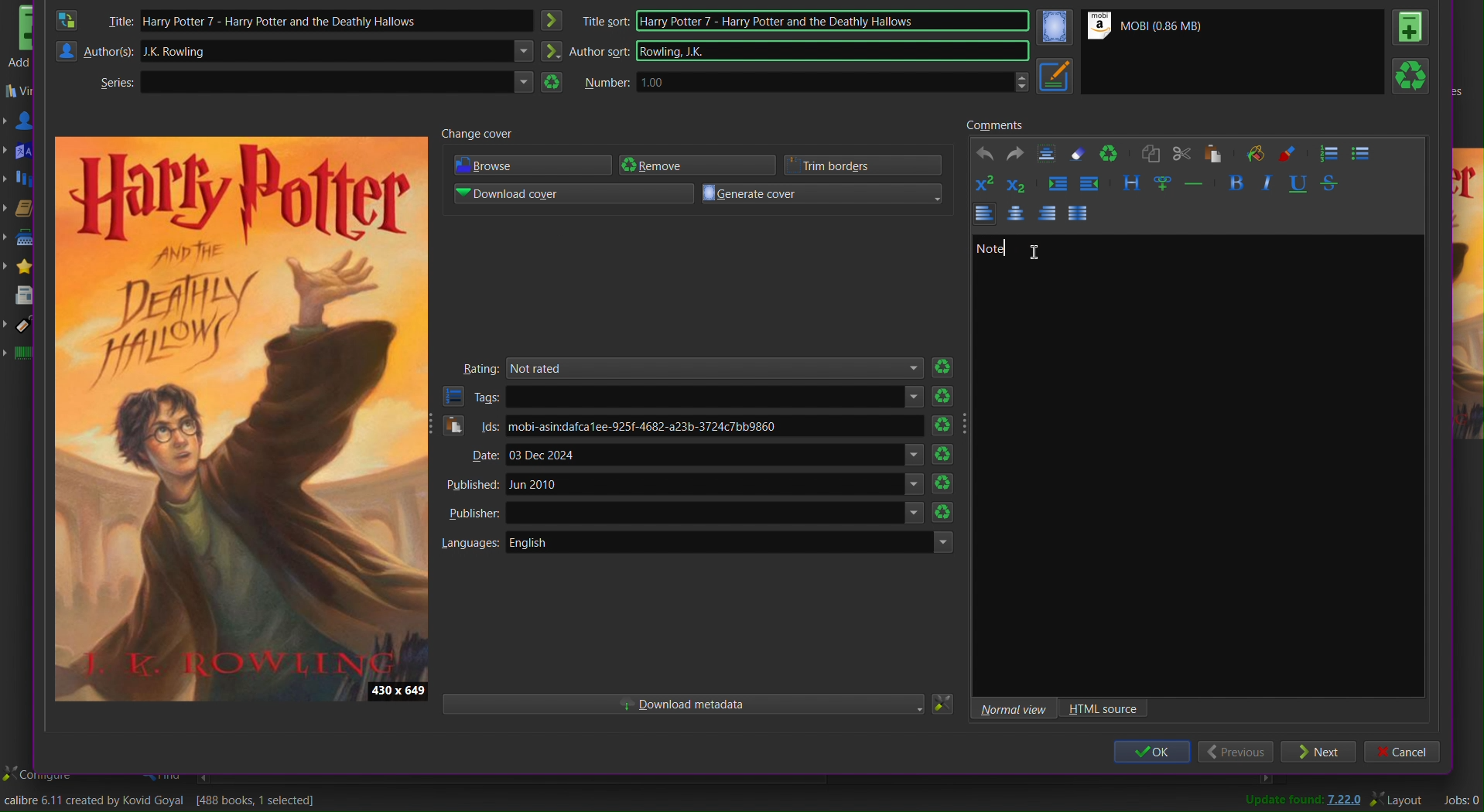  What do you see at coordinates (1014, 214) in the screenshot?
I see `Centre Align` at bounding box center [1014, 214].